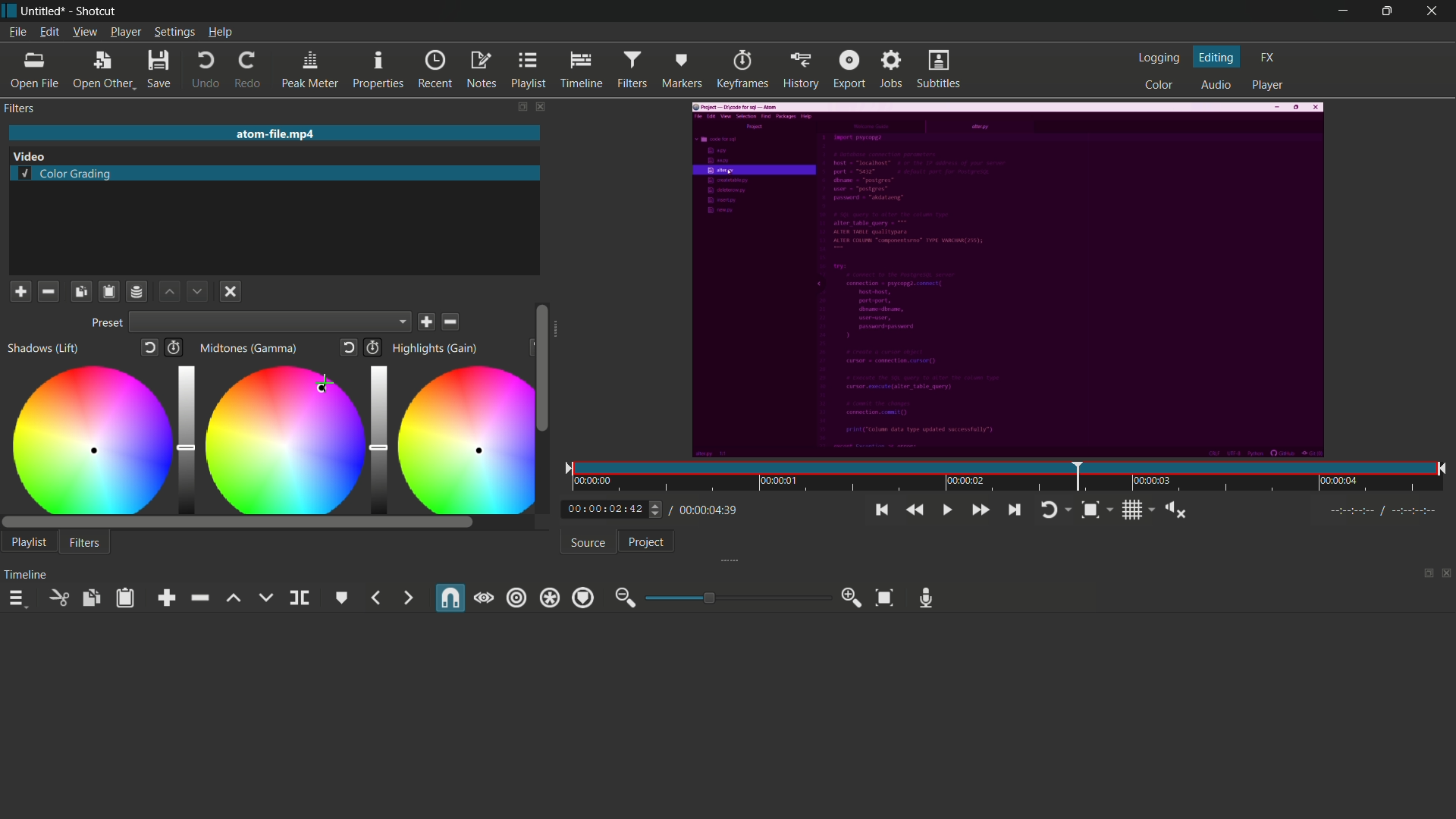 This screenshot has height=819, width=1456. Describe the element at coordinates (56, 598) in the screenshot. I see `cut` at that location.